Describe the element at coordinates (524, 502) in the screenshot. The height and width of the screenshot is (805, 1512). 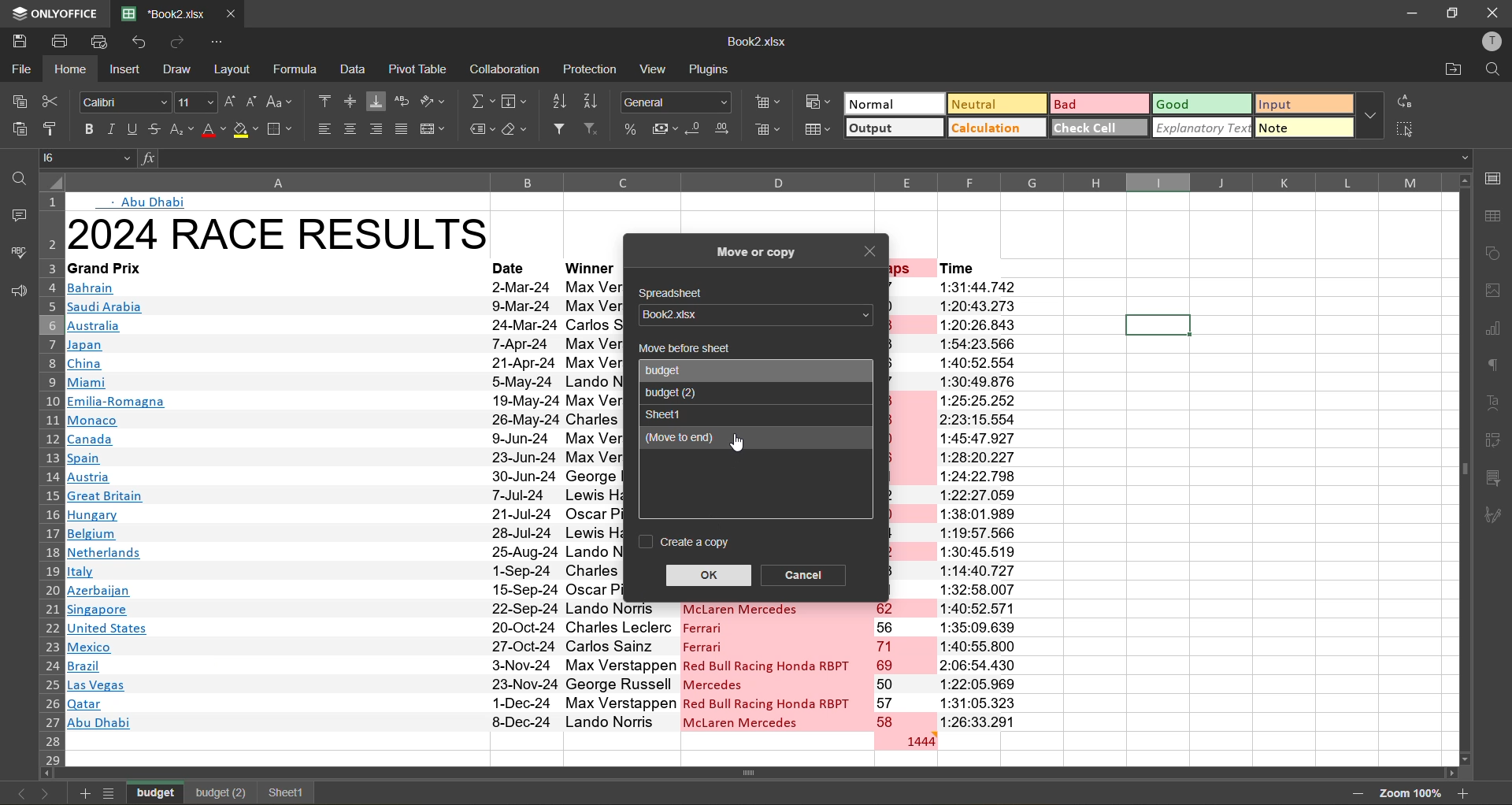
I see `date` at that location.